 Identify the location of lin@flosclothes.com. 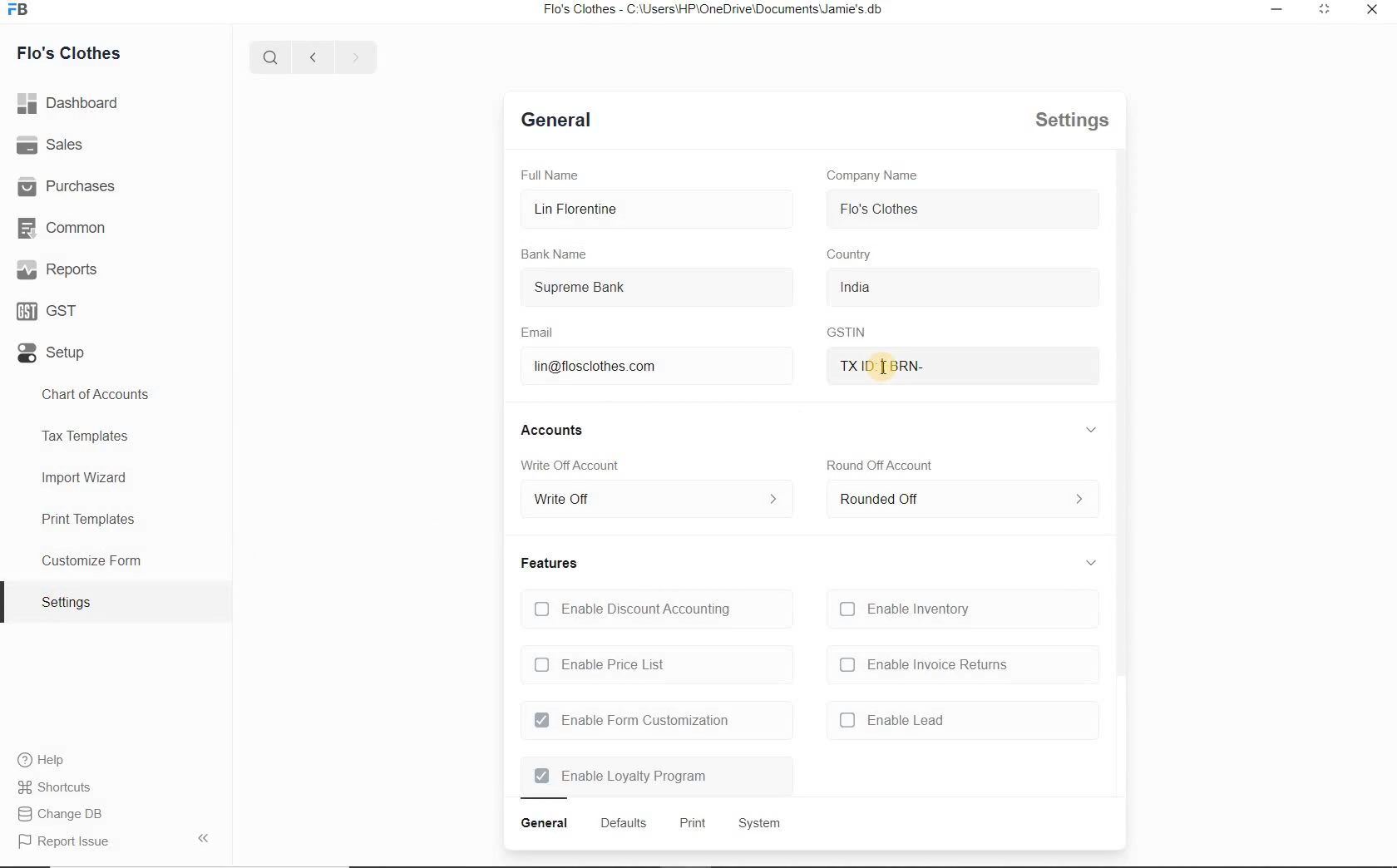
(617, 367).